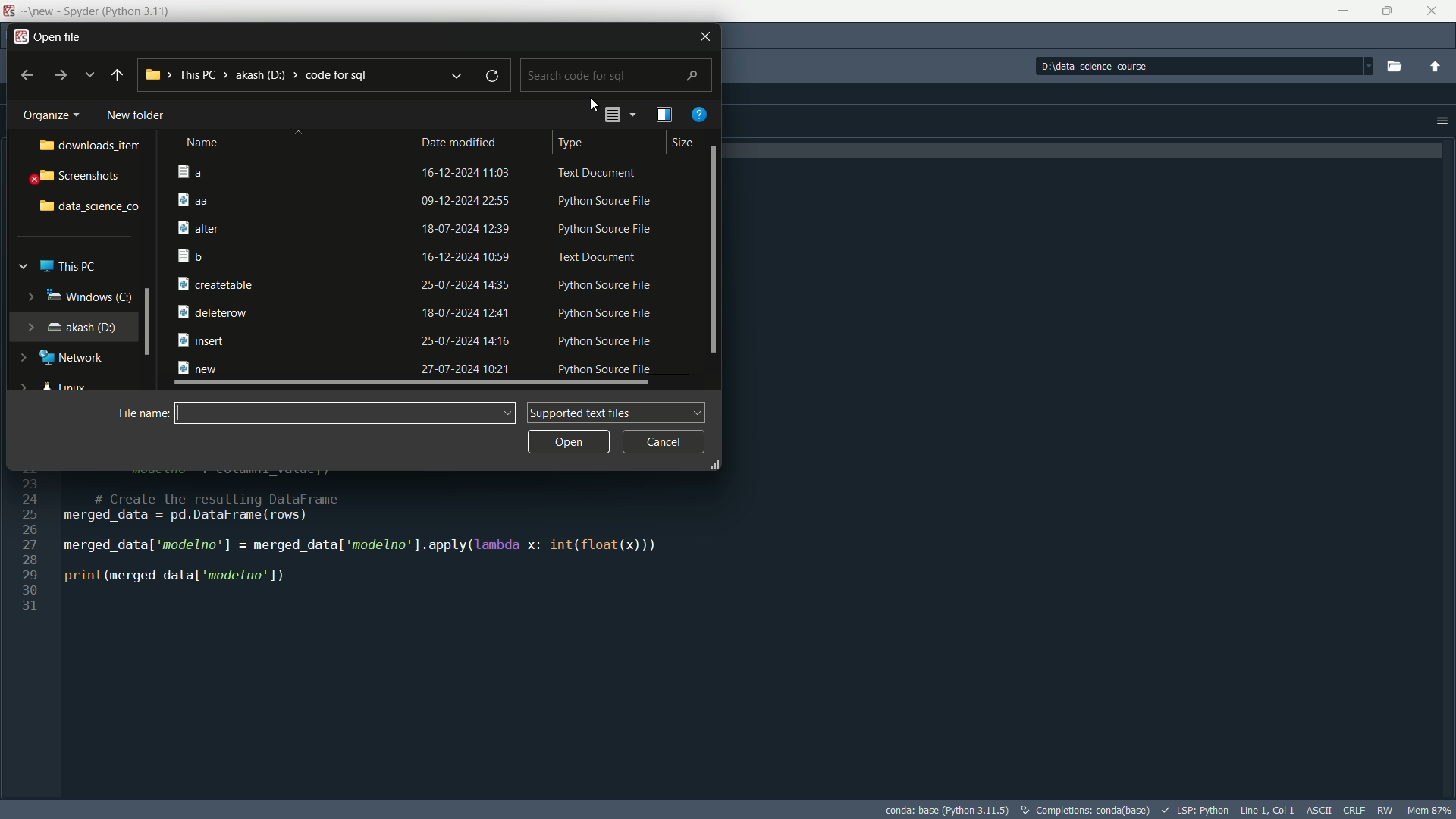 The image size is (1456, 819). What do you see at coordinates (456, 72) in the screenshot?
I see `recent locations` at bounding box center [456, 72].